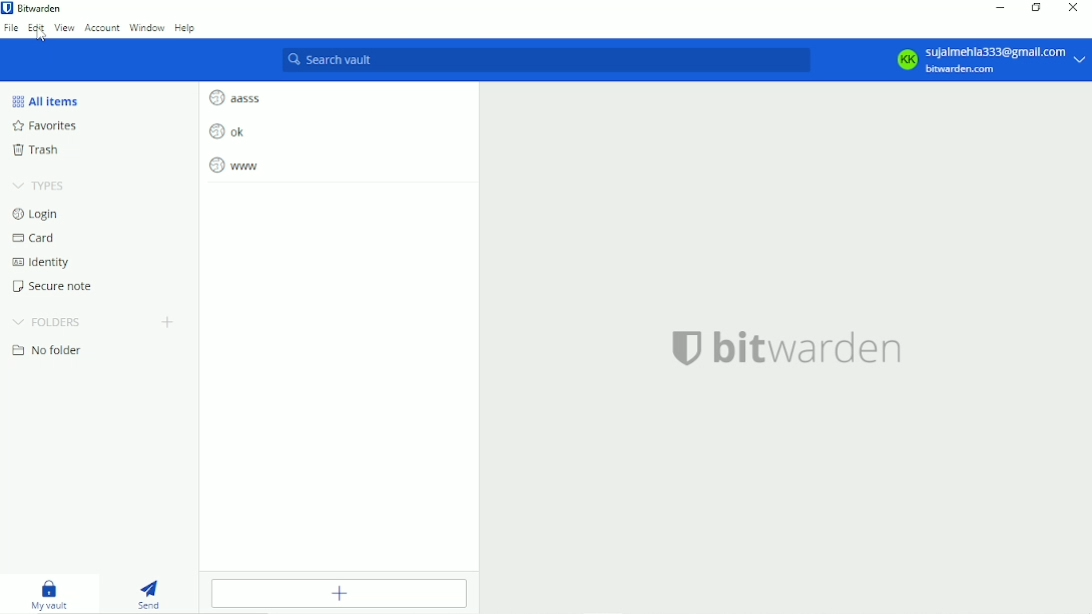 The width and height of the screenshot is (1092, 614). What do you see at coordinates (999, 7) in the screenshot?
I see `Minimize` at bounding box center [999, 7].